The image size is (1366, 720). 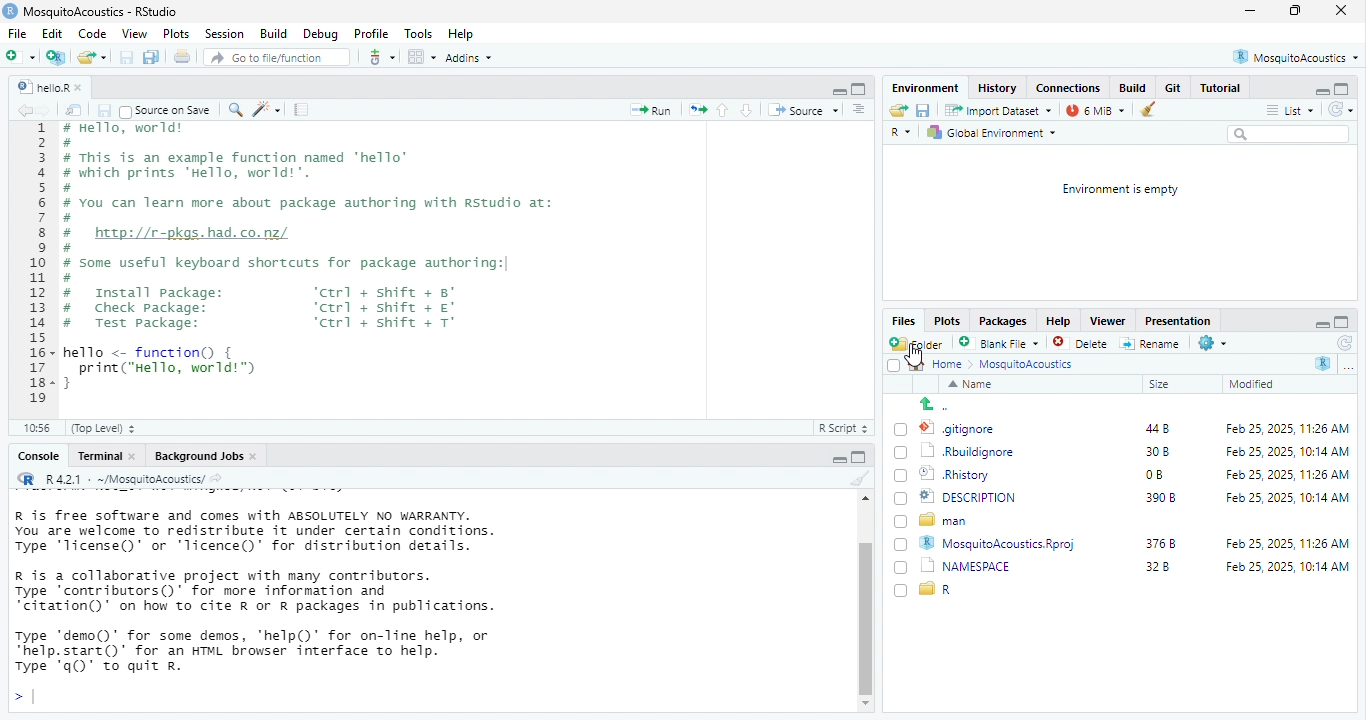 What do you see at coordinates (831, 459) in the screenshot?
I see `hide r script` at bounding box center [831, 459].